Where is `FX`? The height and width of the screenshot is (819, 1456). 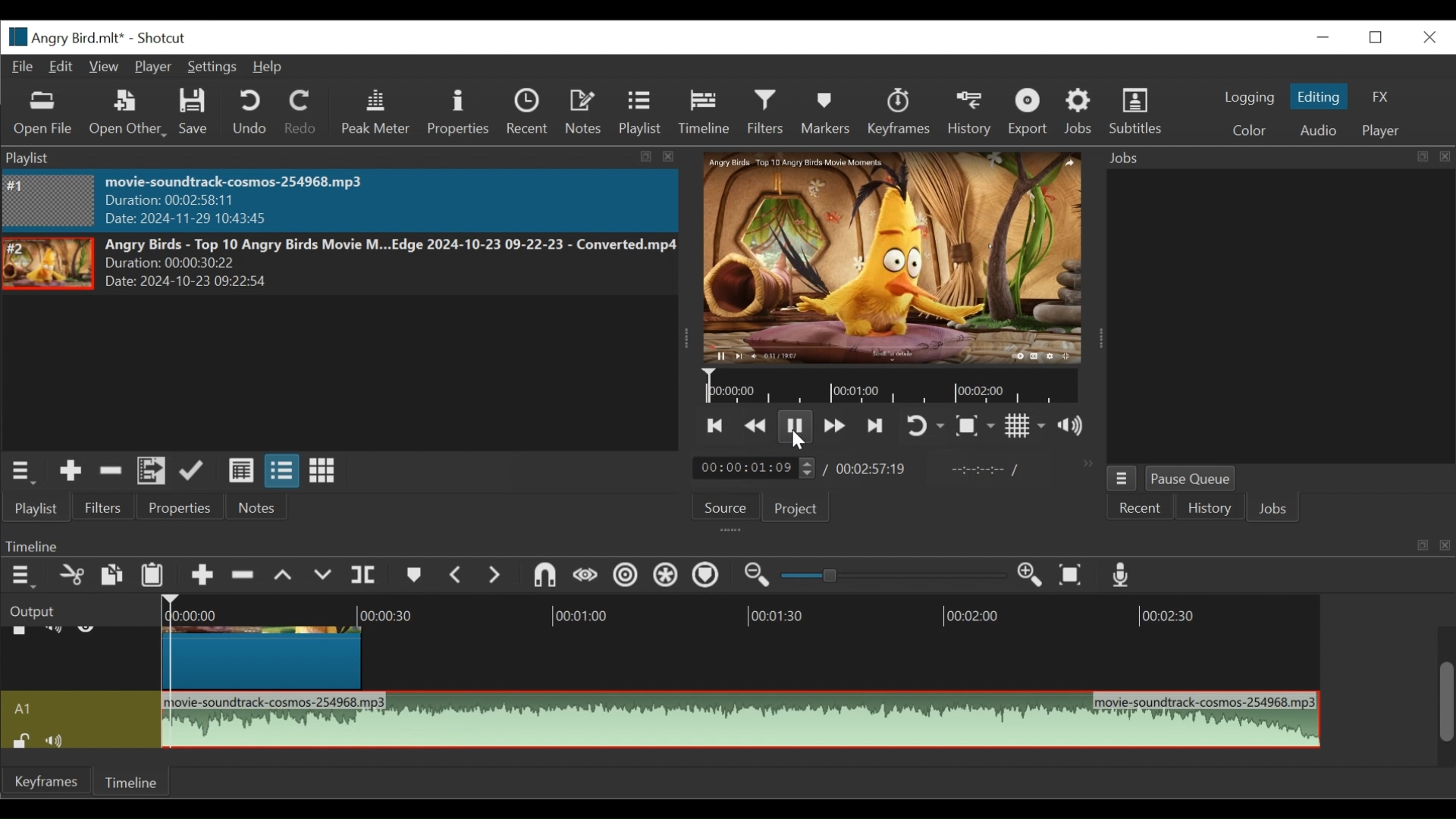
FX is located at coordinates (1382, 99).